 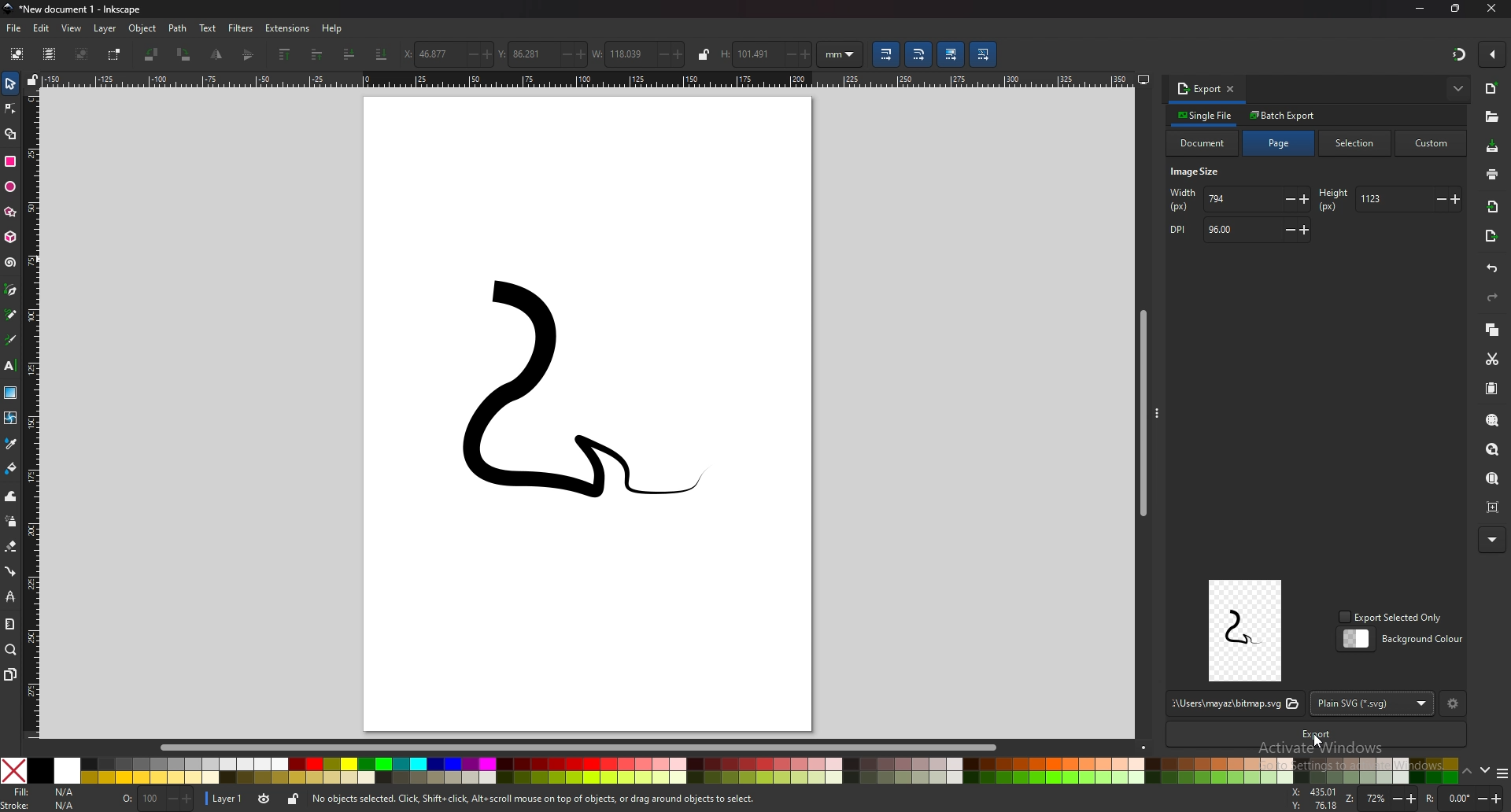 What do you see at coordinates (10, 521) in the screenshot?
I see `spray` at bounding box center [10, 521].